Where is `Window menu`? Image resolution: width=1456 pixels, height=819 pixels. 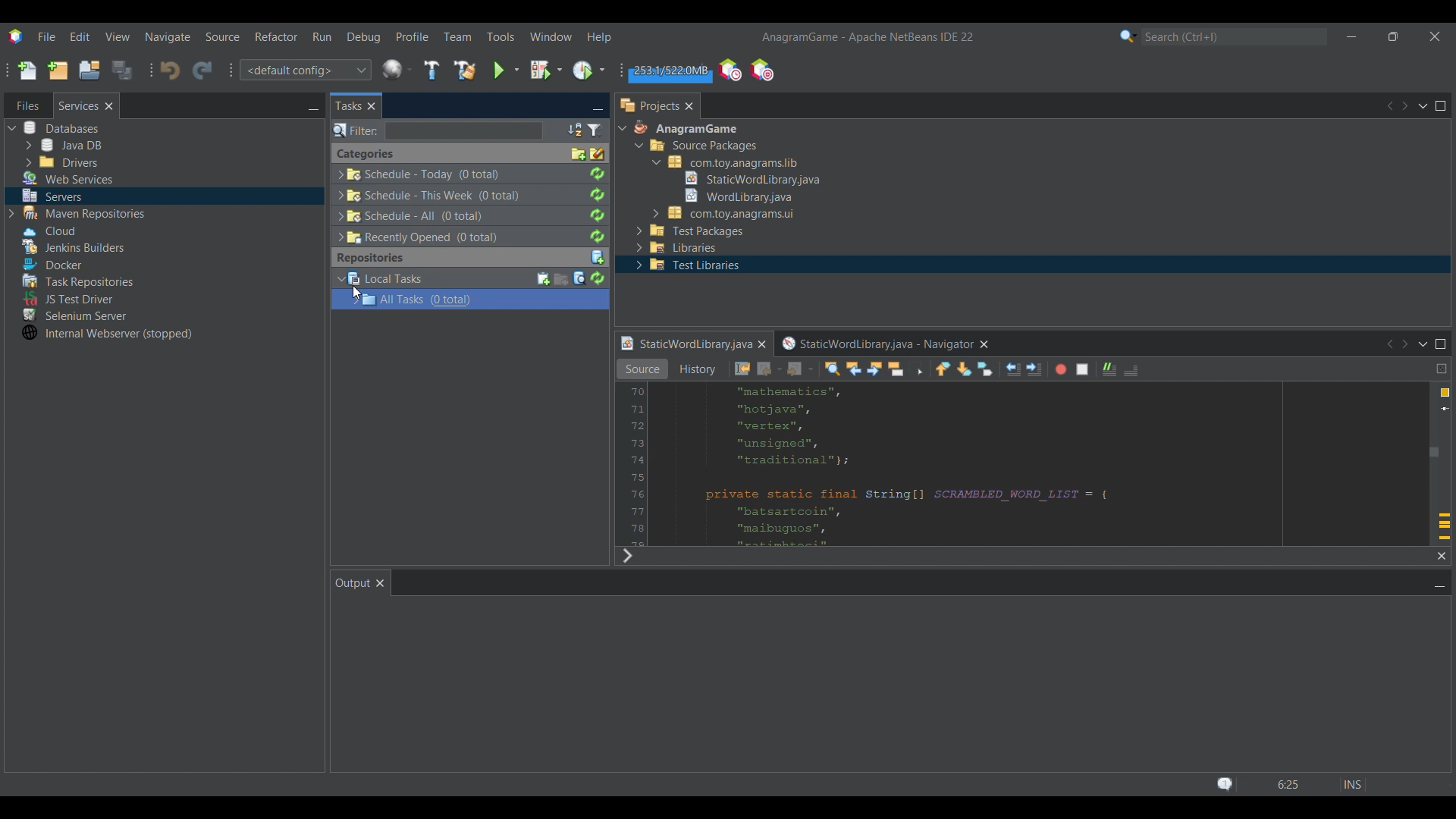 Window menu is located at coordinates (551, 36).